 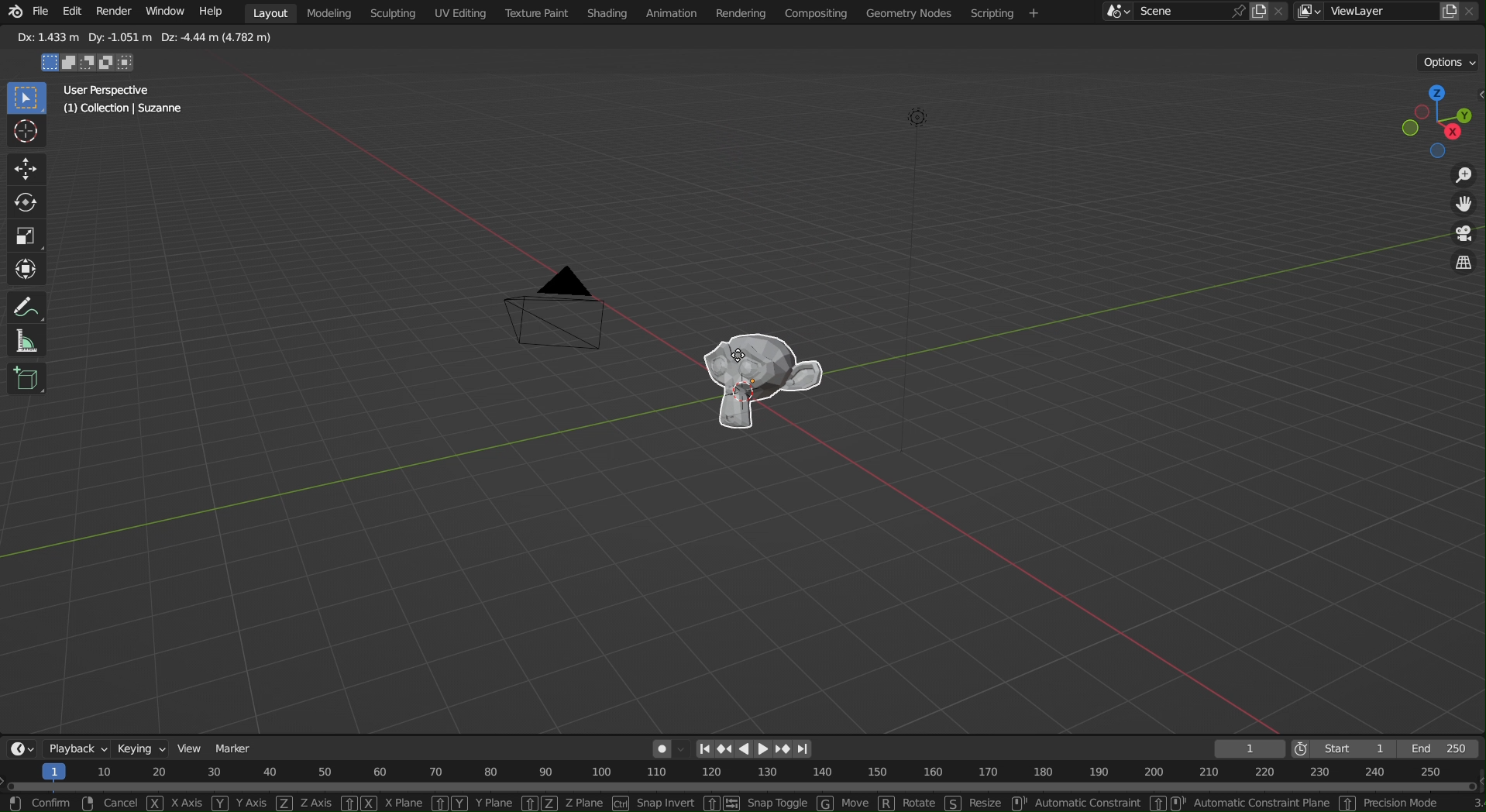 I want to click on Precision Mode, so click(x=1402, y=803).